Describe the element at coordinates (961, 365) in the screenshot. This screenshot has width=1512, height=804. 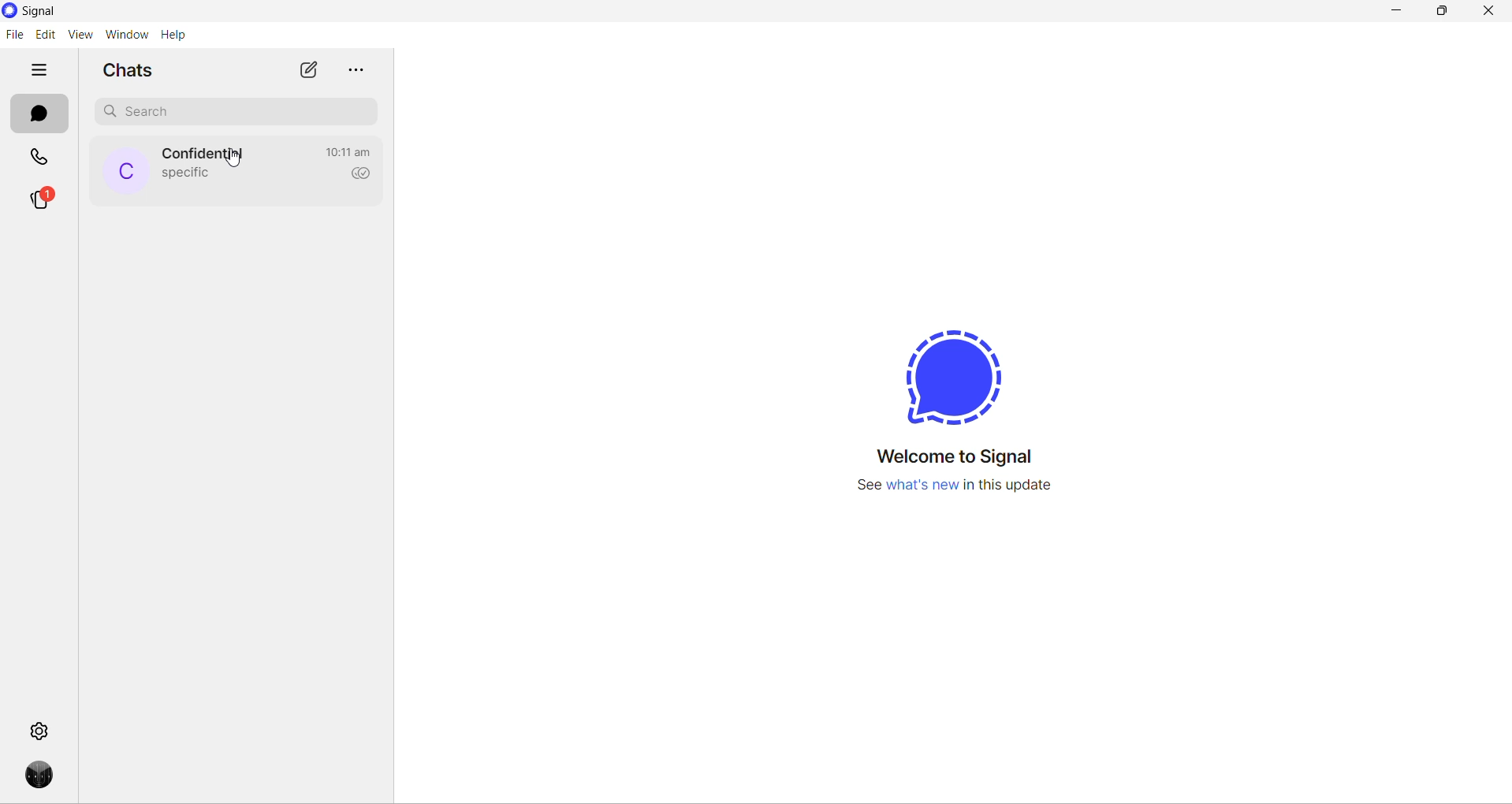
I see `signal logo` at that location.